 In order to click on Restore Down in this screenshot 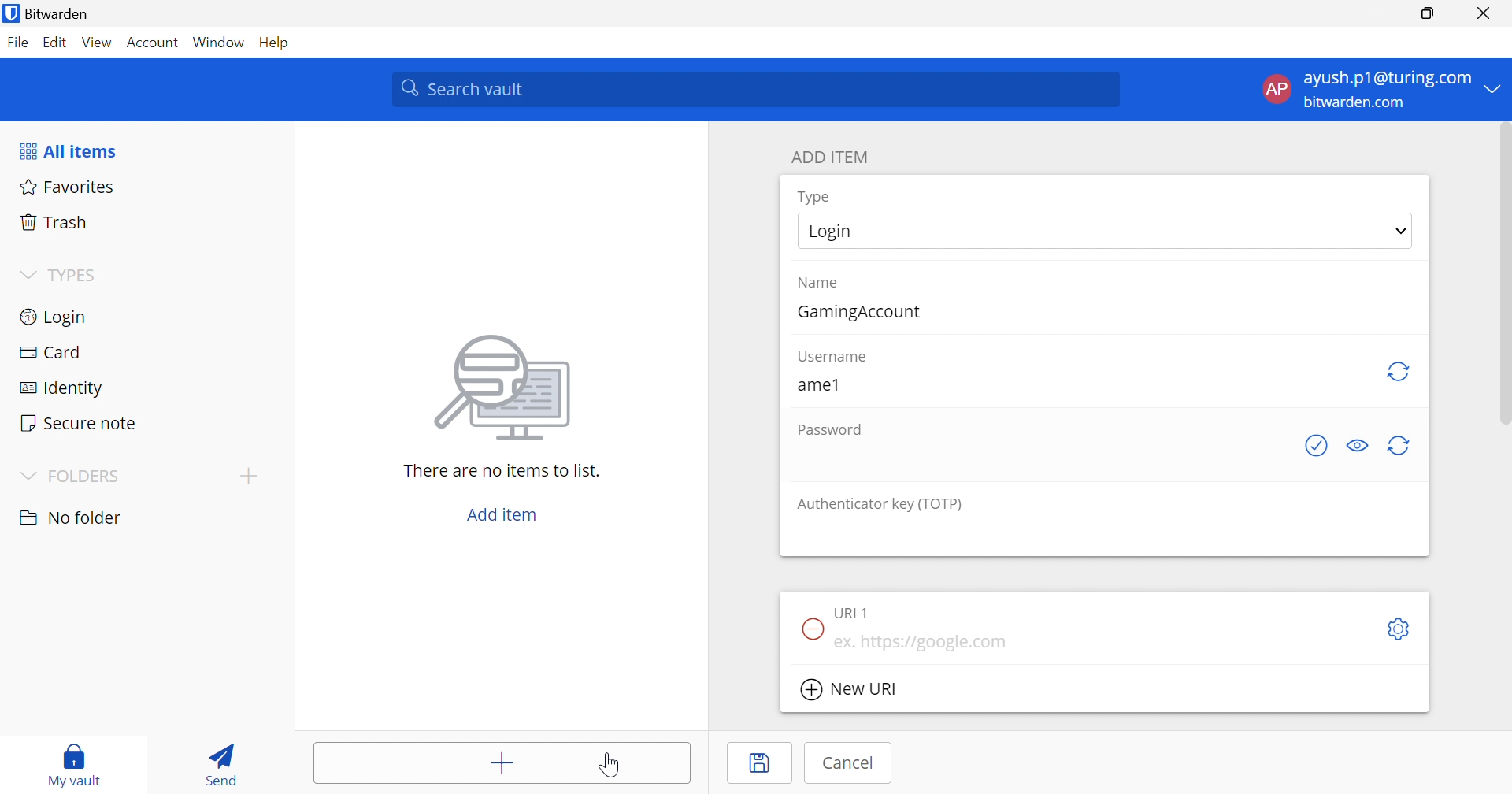, I will do `click(1429, 14)`.